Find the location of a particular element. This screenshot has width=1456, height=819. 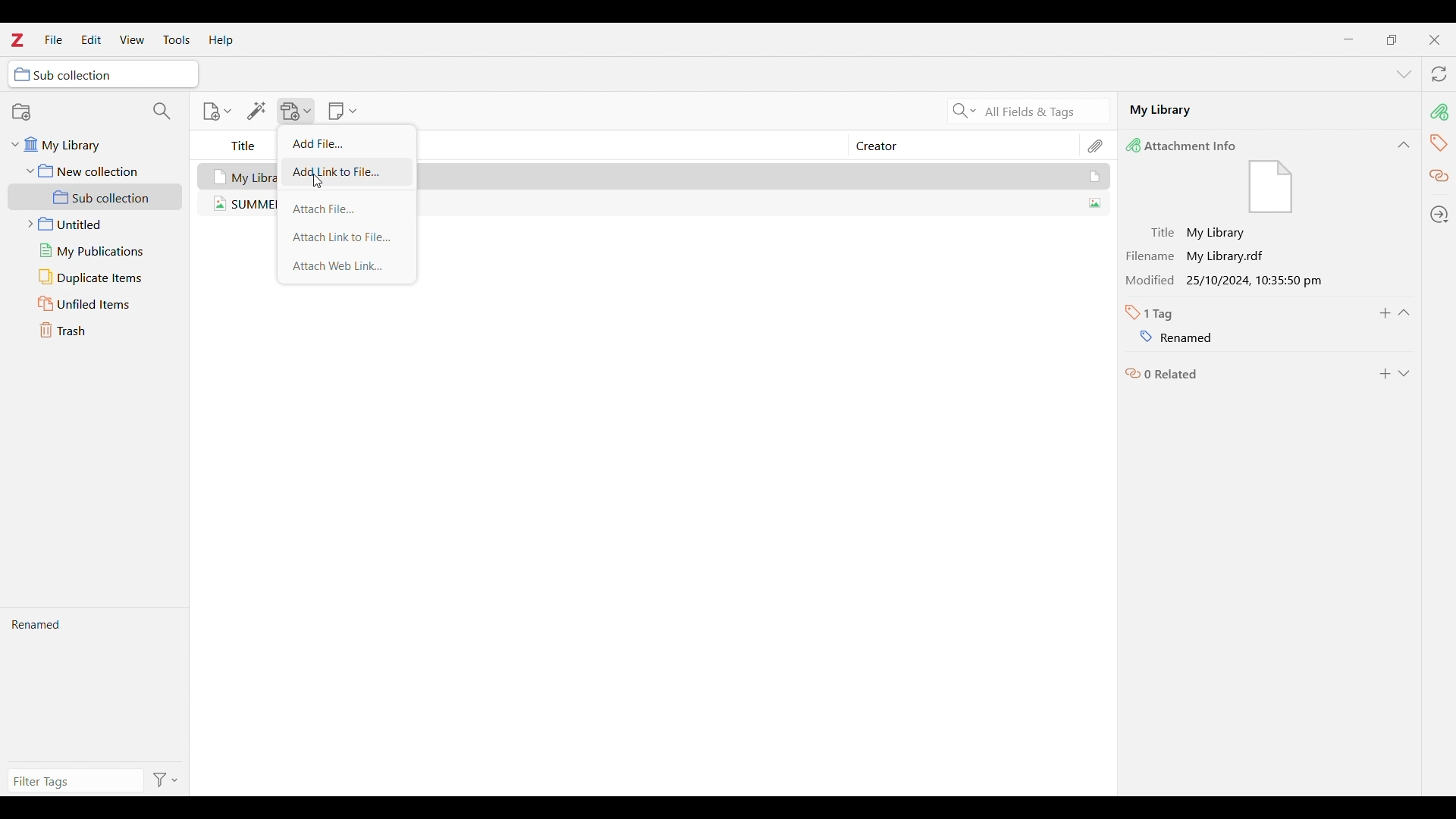

Attachment Info is located at coordinates (1188, 146).